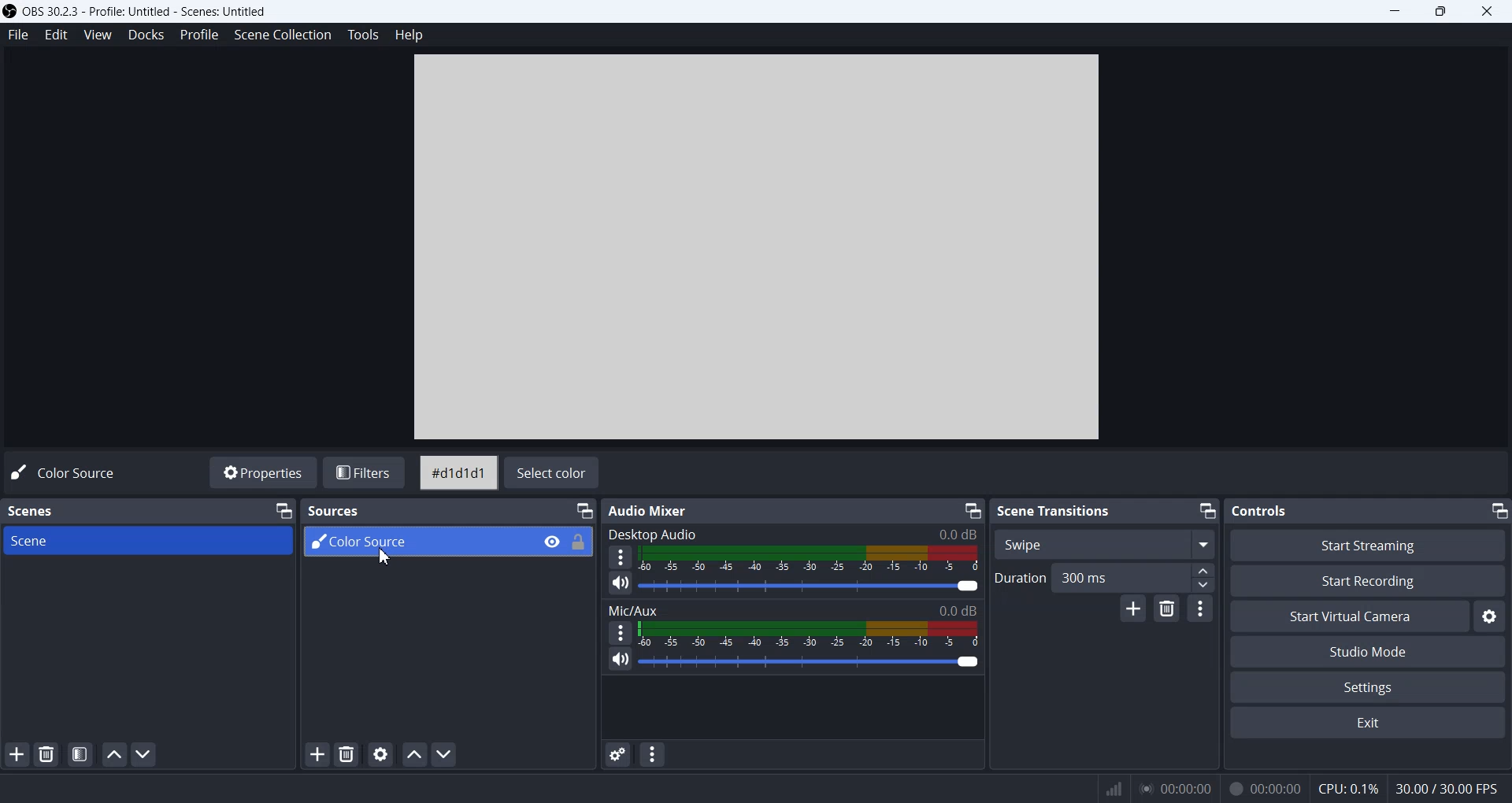  Describe the element at coordinates (146, 34) in the screenshot. I see `Docks` at that location.